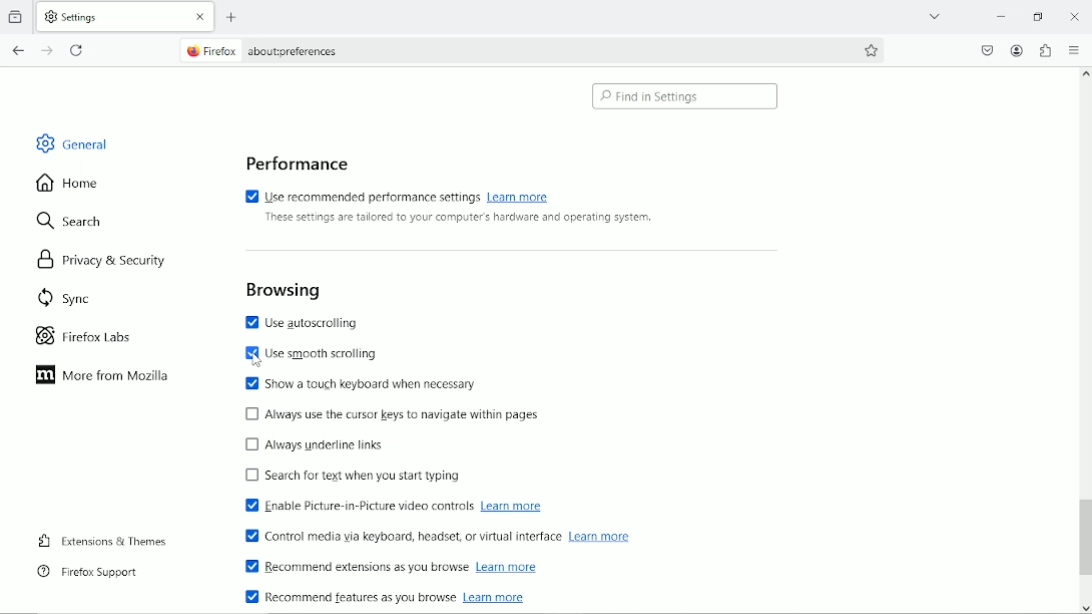 The height and width of the screenshot is (614, 1092). I want to click on Recommend extensions as you browse, so click(353, 568).